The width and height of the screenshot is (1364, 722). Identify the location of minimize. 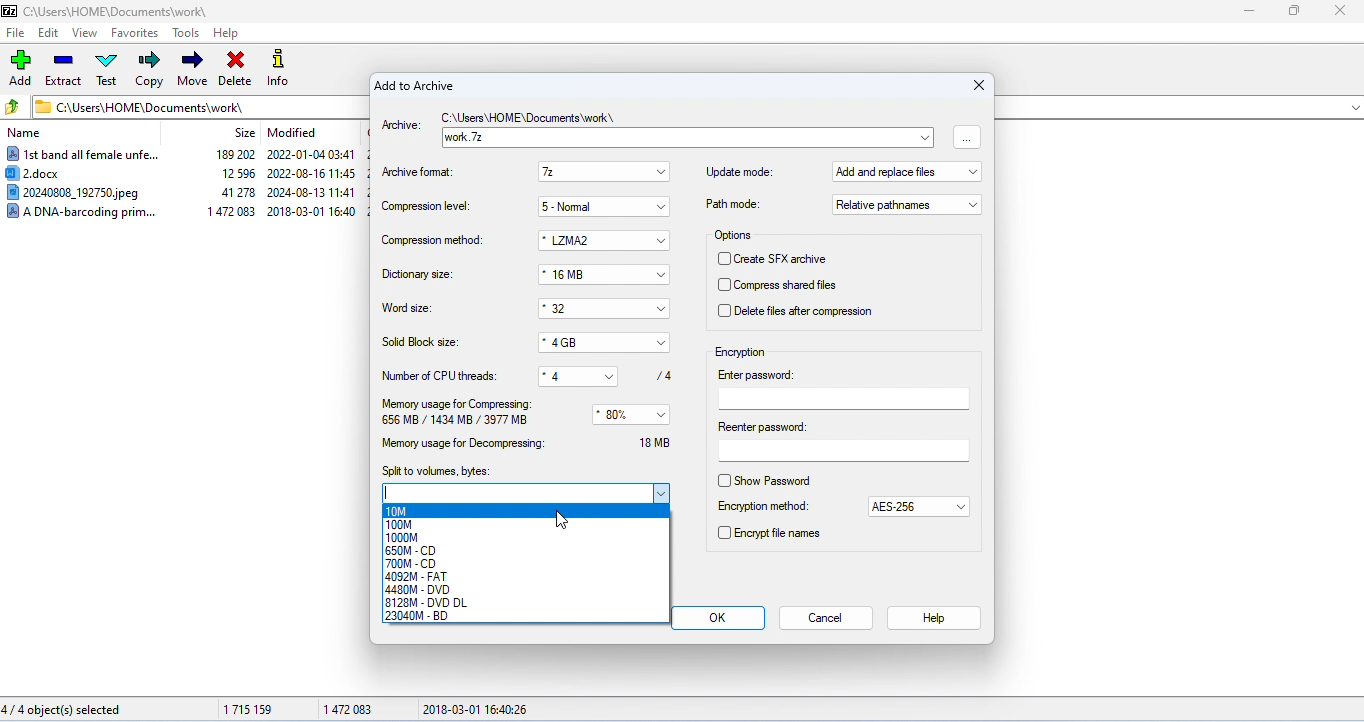
(1247, 12).